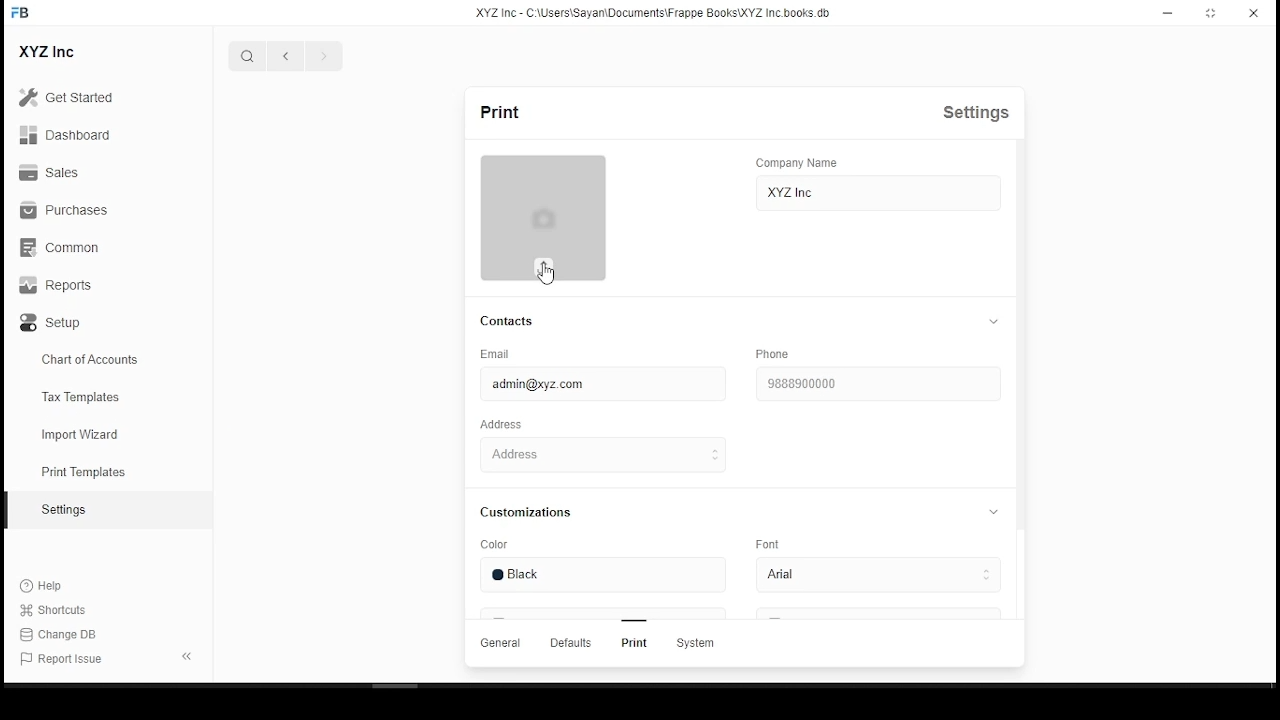  What do you see at coordinates (283, 57) in the screenshot?
I see `previous` at bounding box center [283, 57].